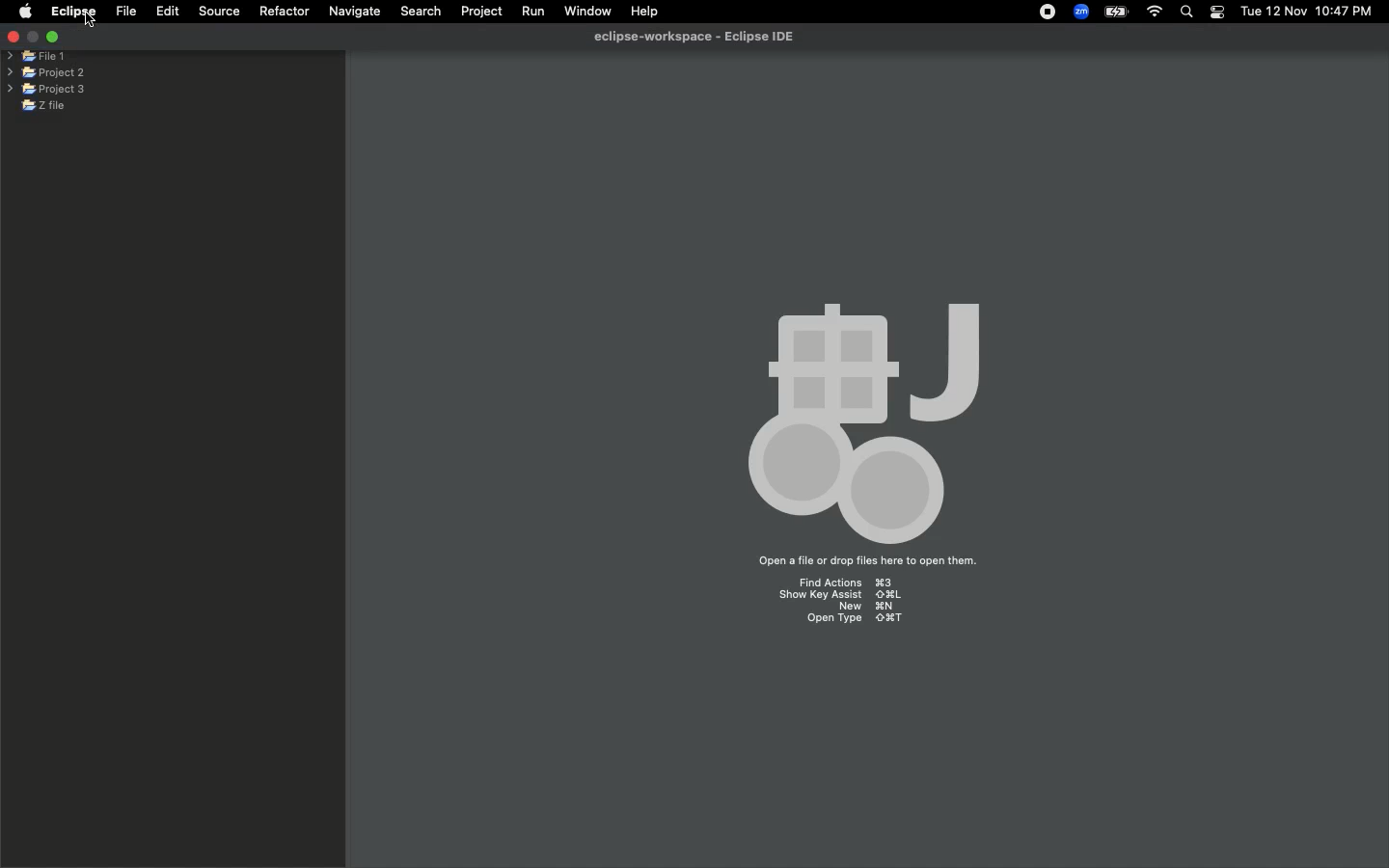 The height and width of the screenshot is (868, 1389). What do you see at coordinates (1080, 12) in the screenshot?
I see `Zoom` at bounding box center [1080, 12].